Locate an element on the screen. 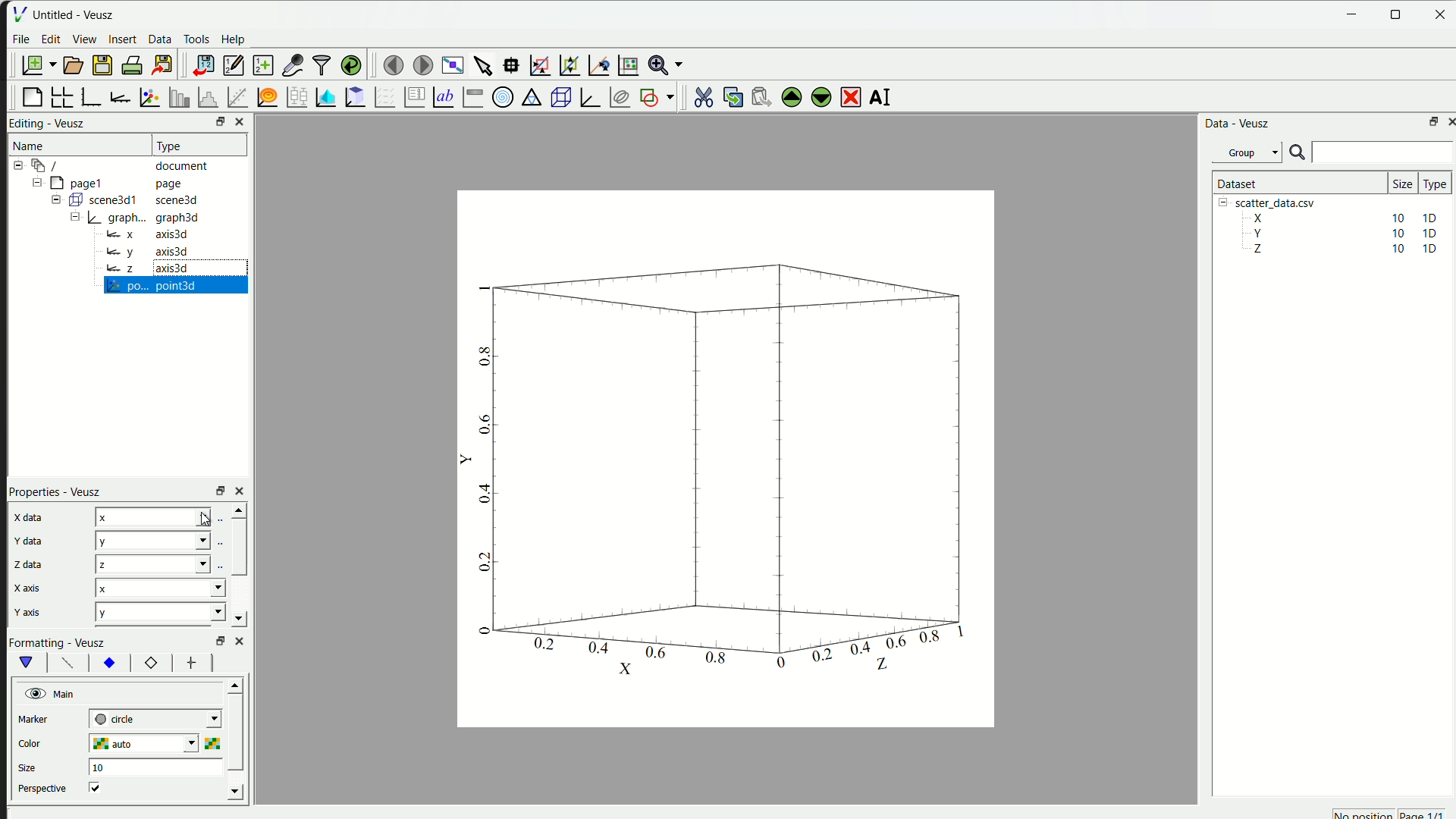 The height and width of the screenshot is (819, 1456). histogram of dataset is located at coordinates (205, 97).